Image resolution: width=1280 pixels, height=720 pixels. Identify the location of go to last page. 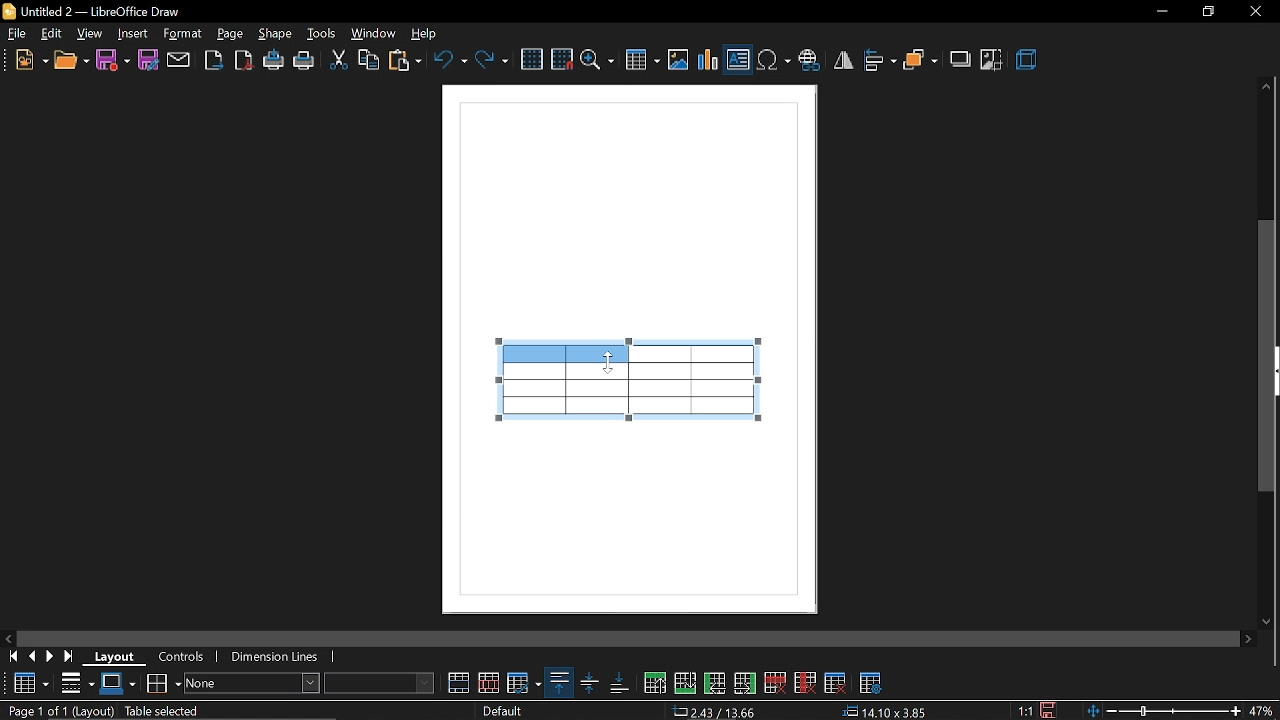
(72, 657).